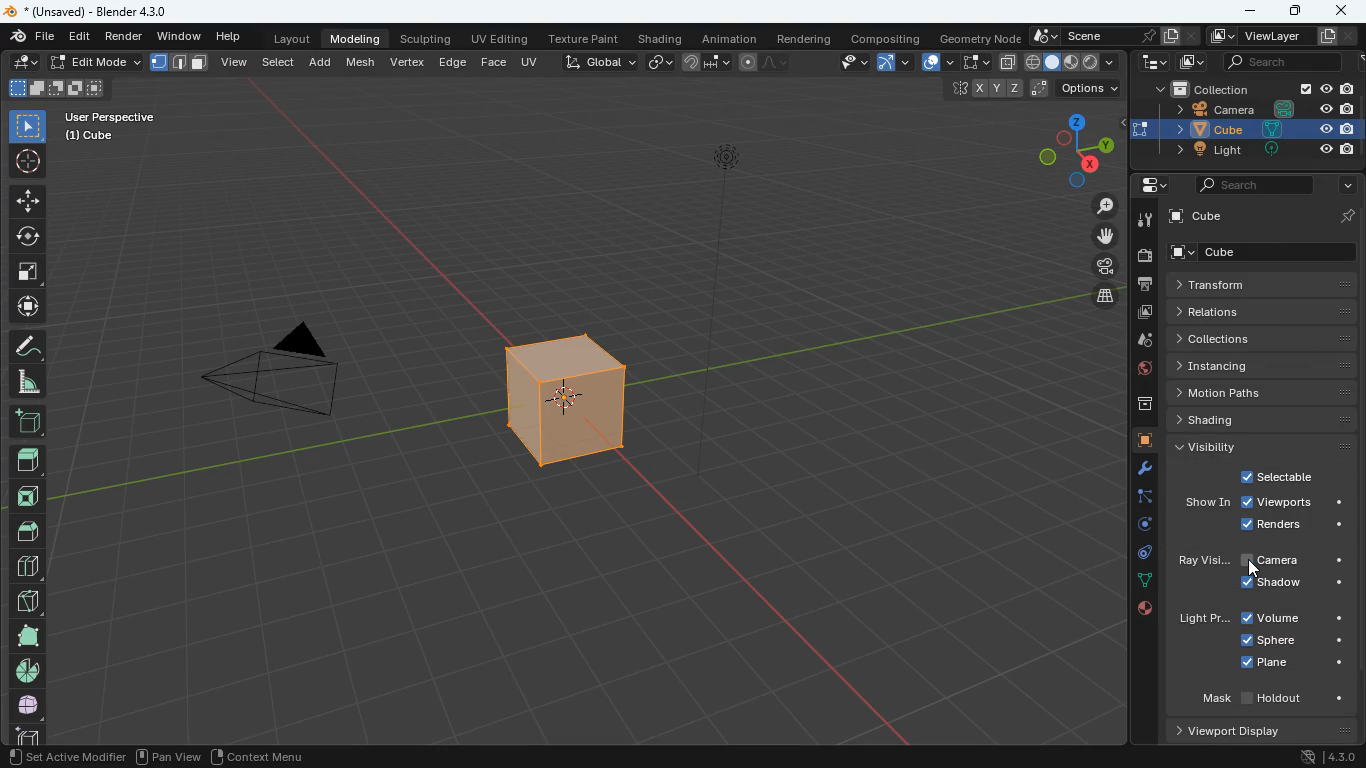  Describe the element at coordinates (27, 272) in the screenshot. I see `fullscreen` at that location.